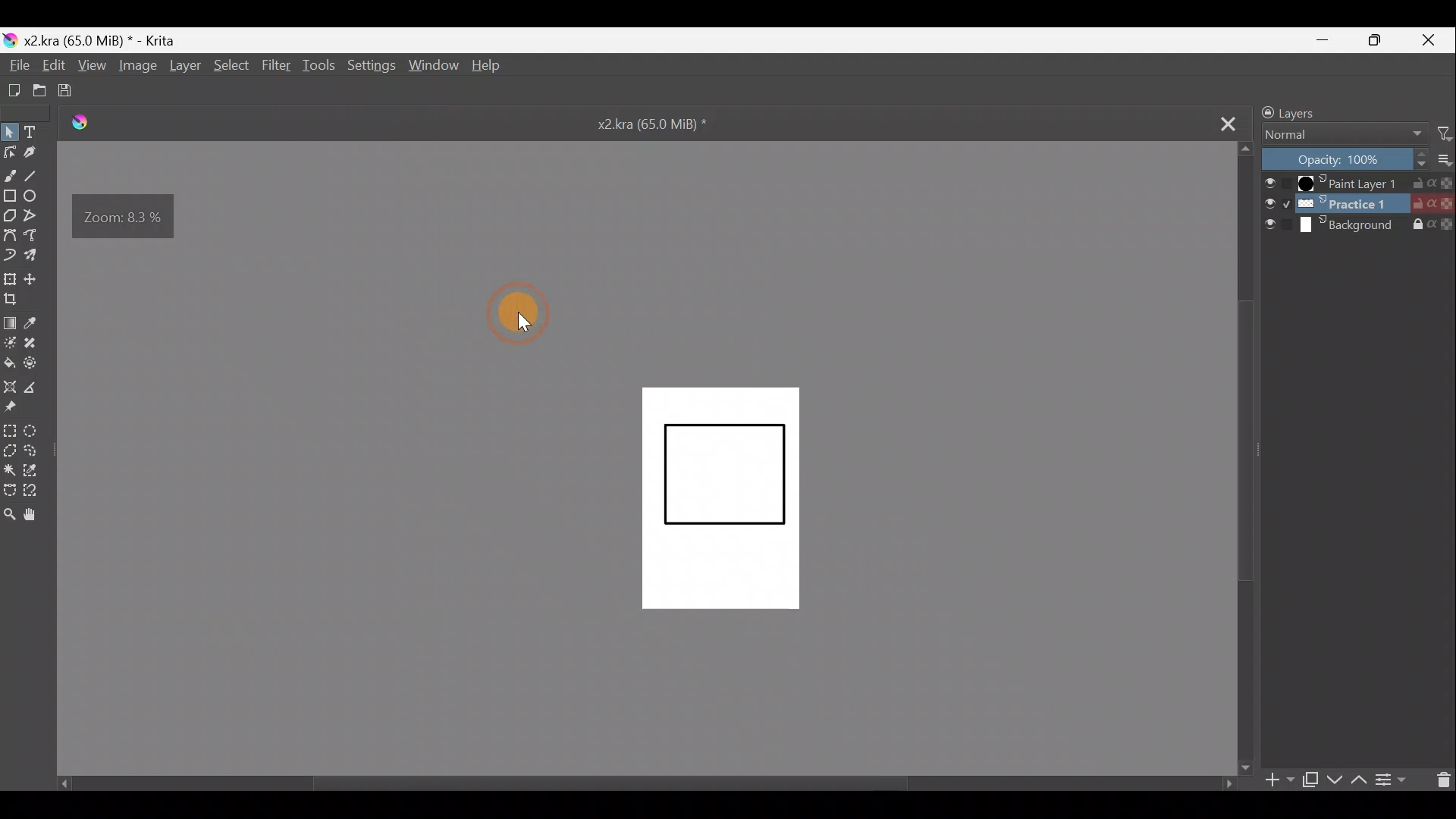 Image resolution: width=1456 pixels, height=819 pixels. Describe the element at coordinates (39, 453) in the screenshot. I see `Freehand selection tool` at that location.